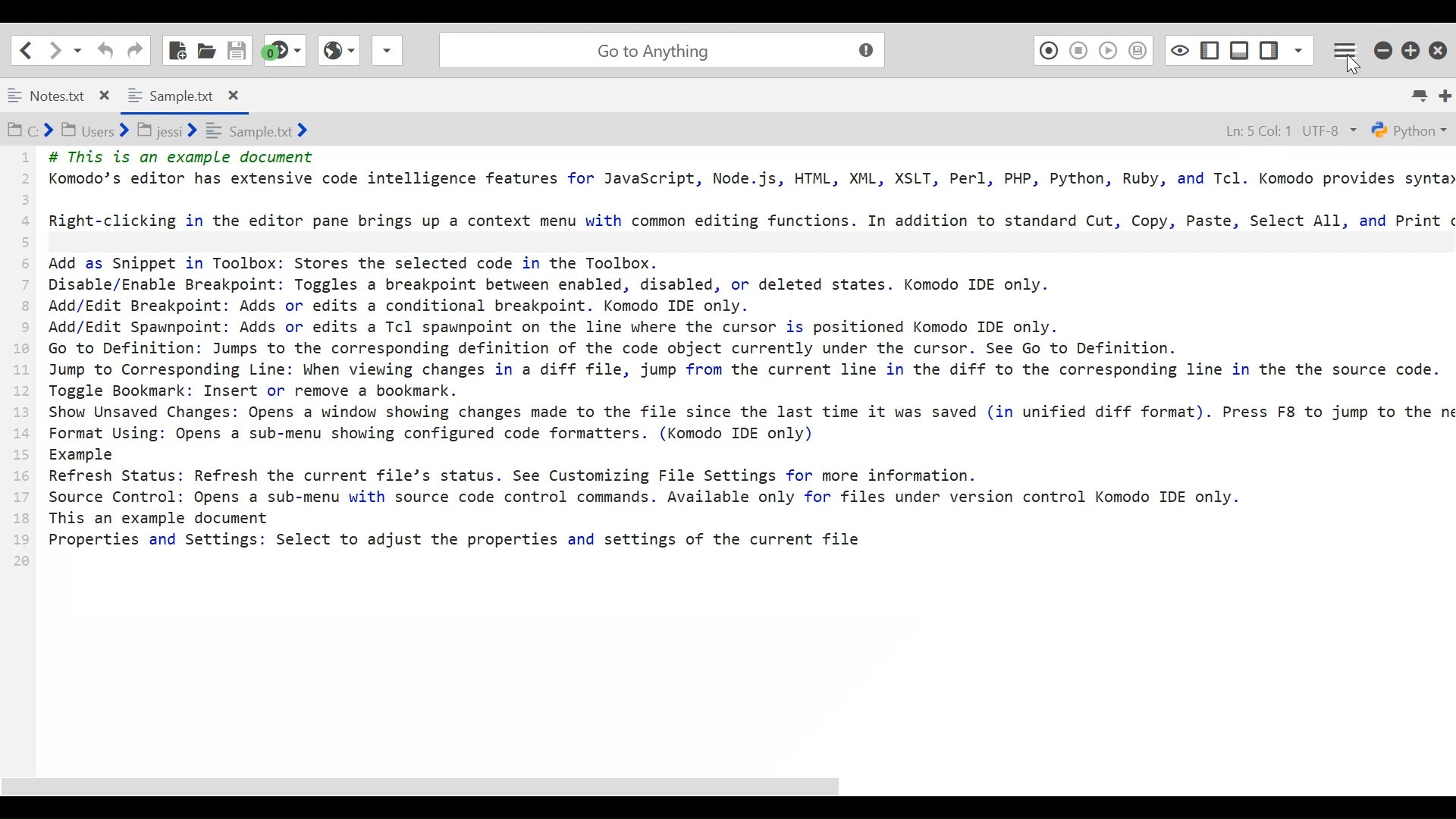 The width and height of the screenshot is (1456, 819). Describe the element at coordinates (385, 50) in the screenshot. I see `Share File` at that location.